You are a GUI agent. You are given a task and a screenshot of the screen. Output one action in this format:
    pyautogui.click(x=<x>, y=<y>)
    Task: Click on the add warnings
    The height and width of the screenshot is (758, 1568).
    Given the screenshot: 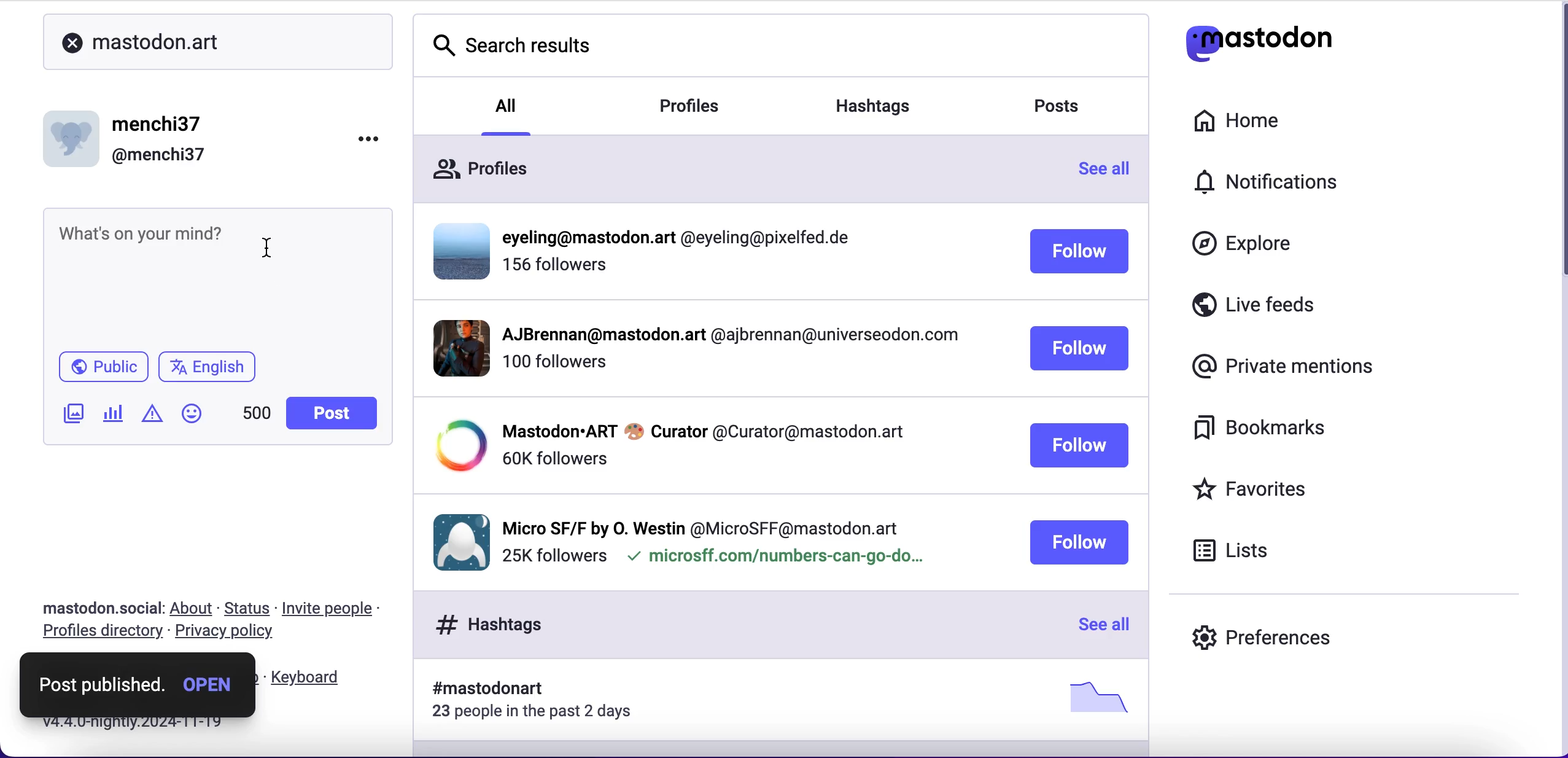 What is the action you would take?
    pyautogui.click(x=152, y=418)
    